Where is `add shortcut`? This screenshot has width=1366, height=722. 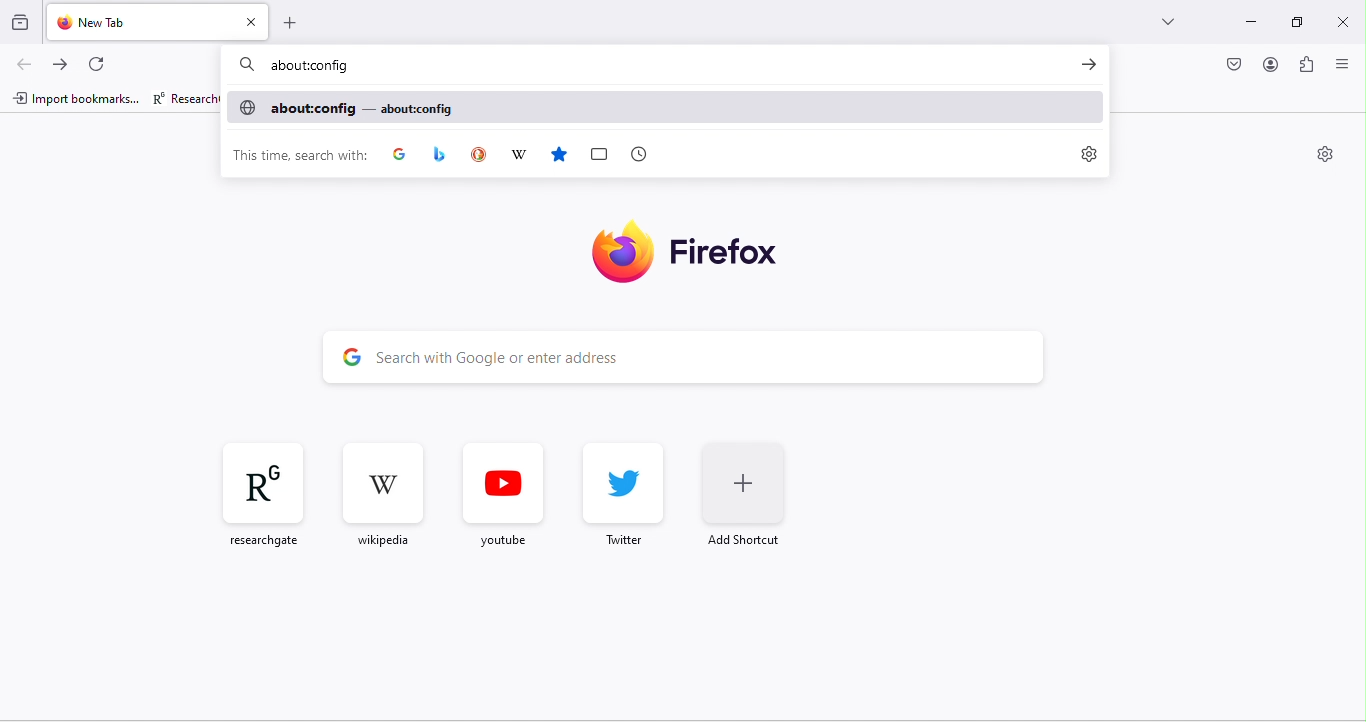 add shortcut is located at coordinates (747, 494).